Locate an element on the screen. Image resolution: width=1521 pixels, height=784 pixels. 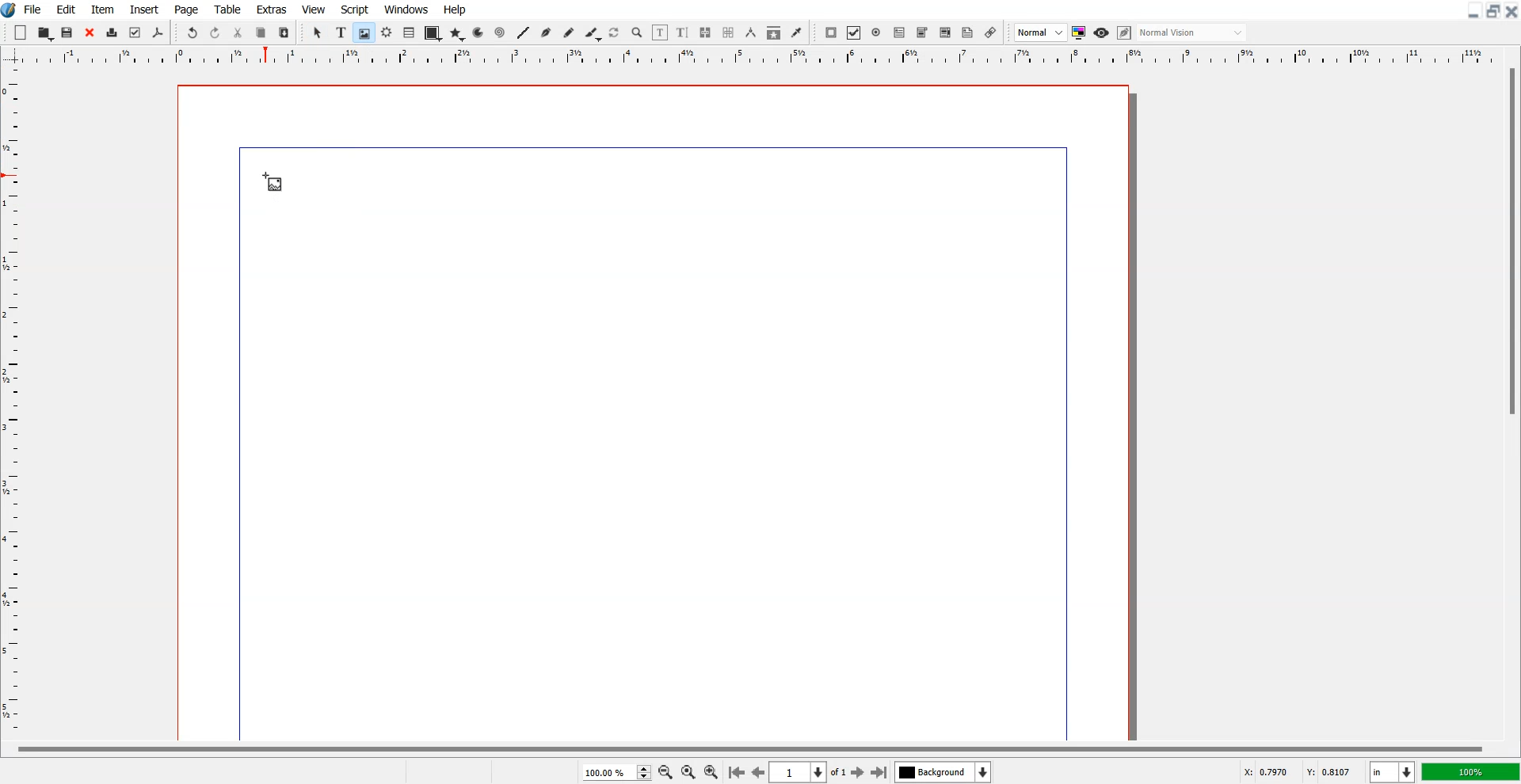
X,Y Co-ordinate is located at coordinates (1301, 771).